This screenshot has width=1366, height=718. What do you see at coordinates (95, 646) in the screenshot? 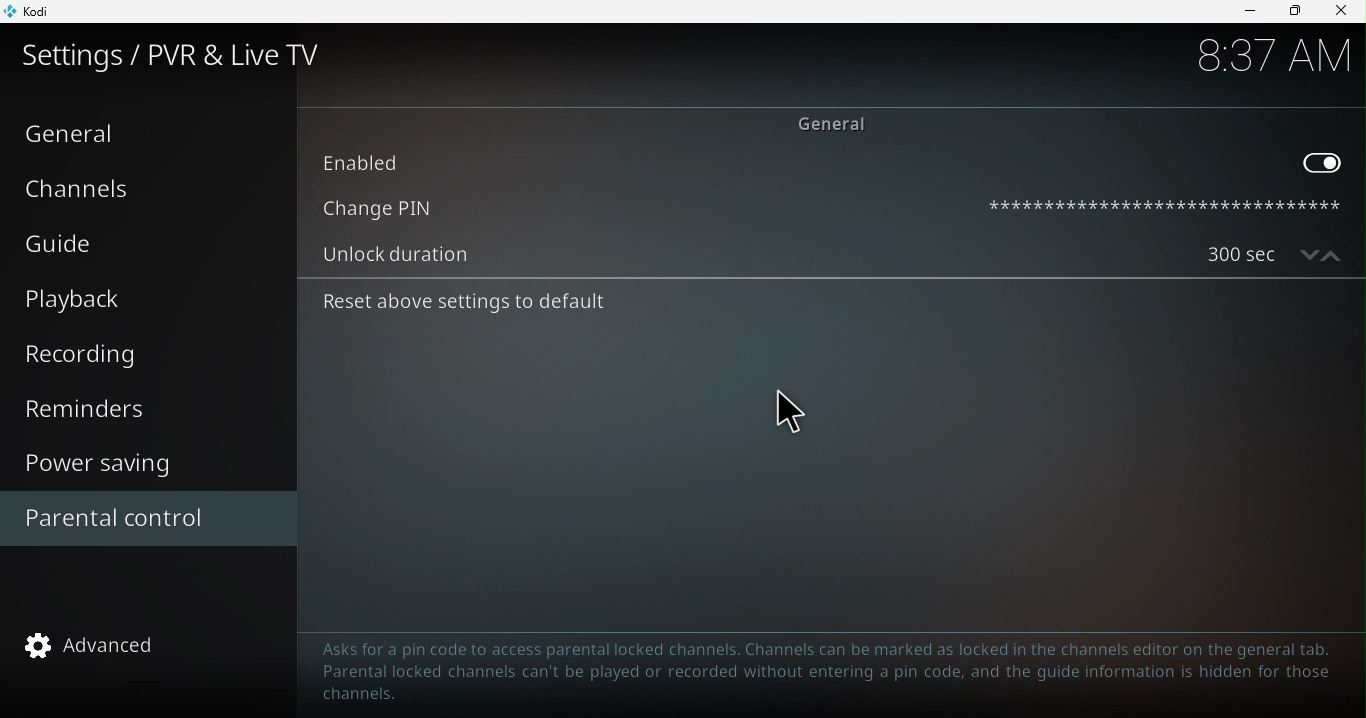
I see `advanced` at bounding box center [95, 646].